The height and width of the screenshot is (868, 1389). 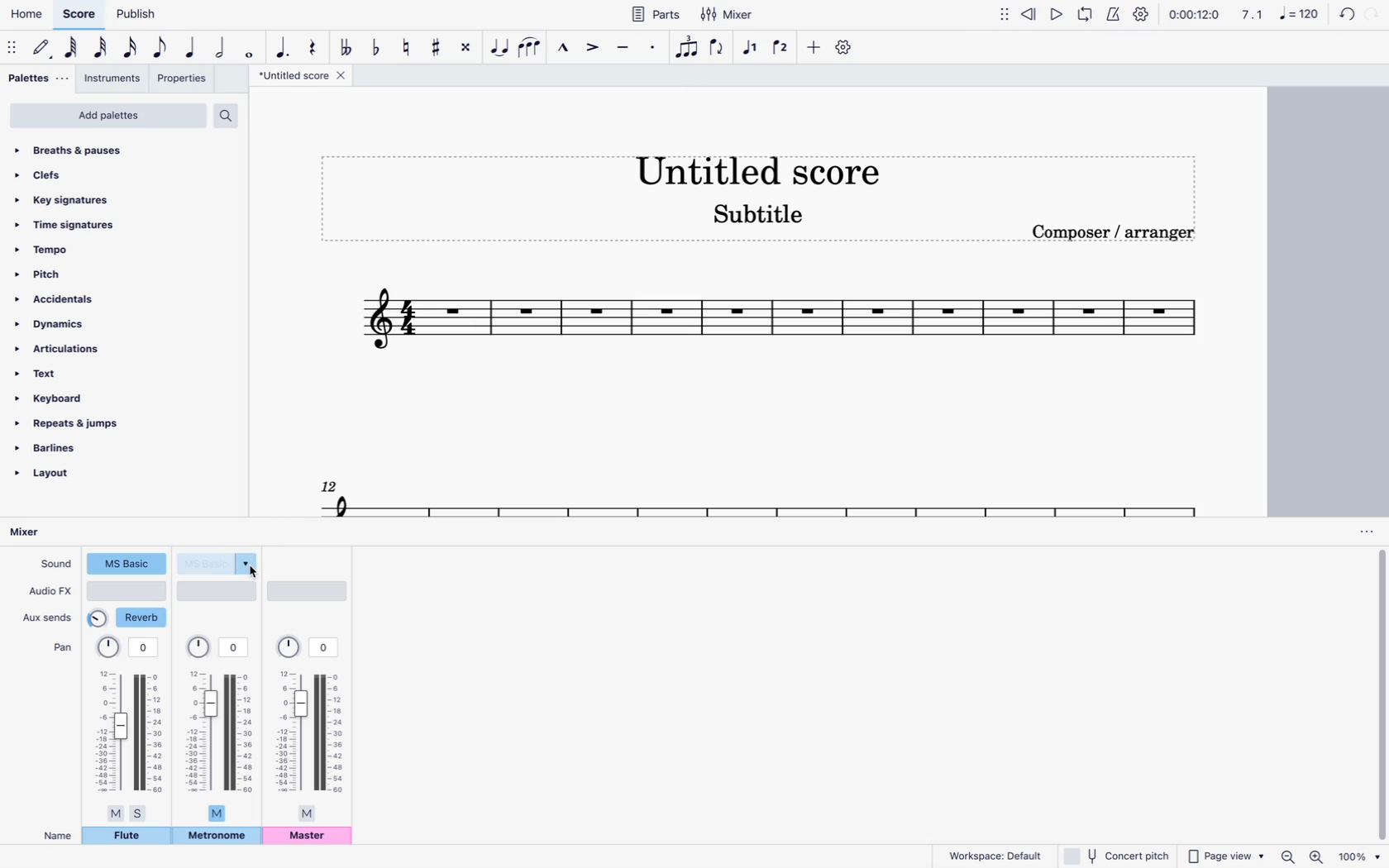 What do you see at coordinates (103, 49) in the screenshot?
I see `32nd note` at bounding box center [103, 49].